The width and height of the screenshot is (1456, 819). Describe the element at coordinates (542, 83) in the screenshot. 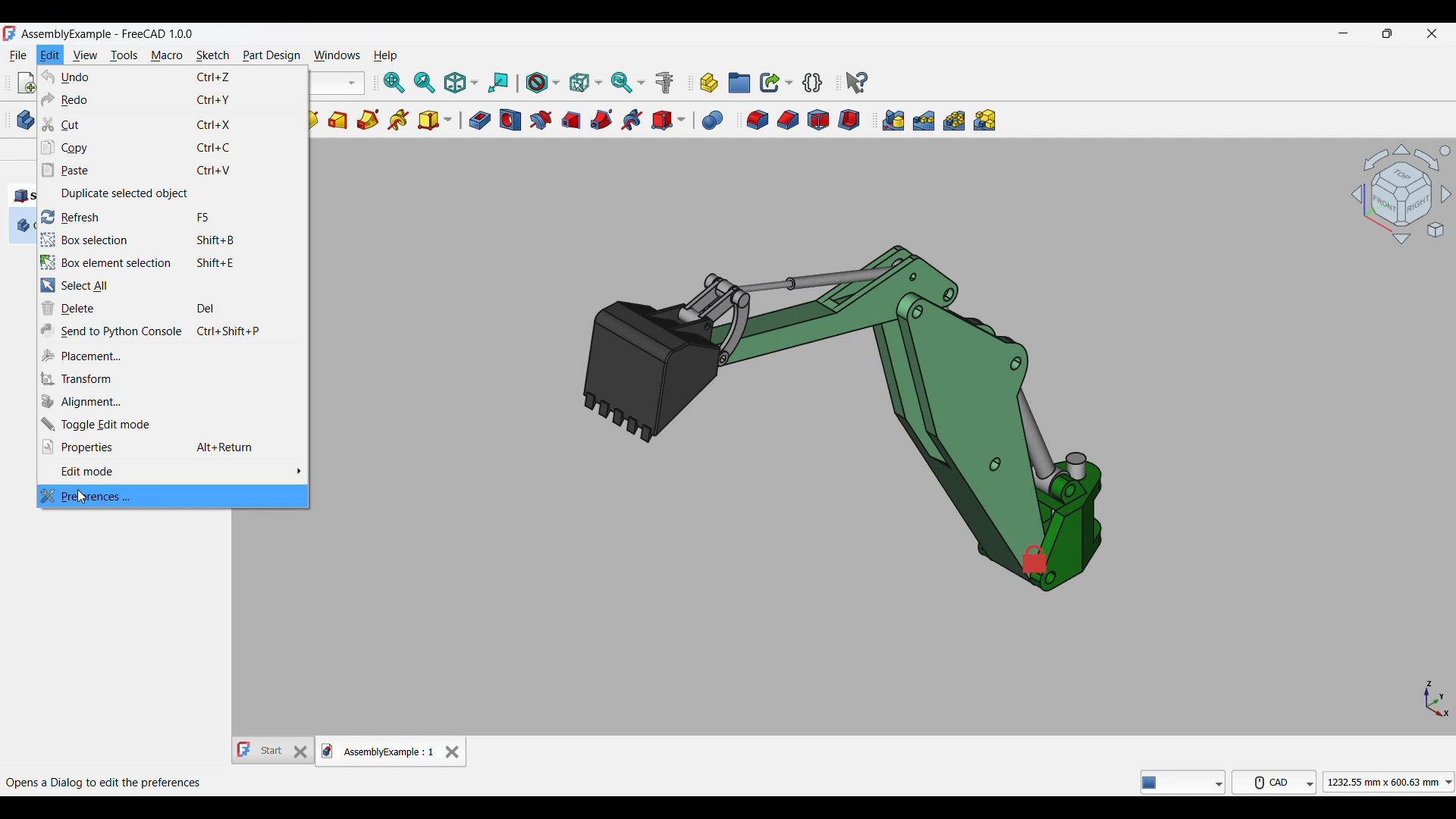

I see `Draw style` at that location.